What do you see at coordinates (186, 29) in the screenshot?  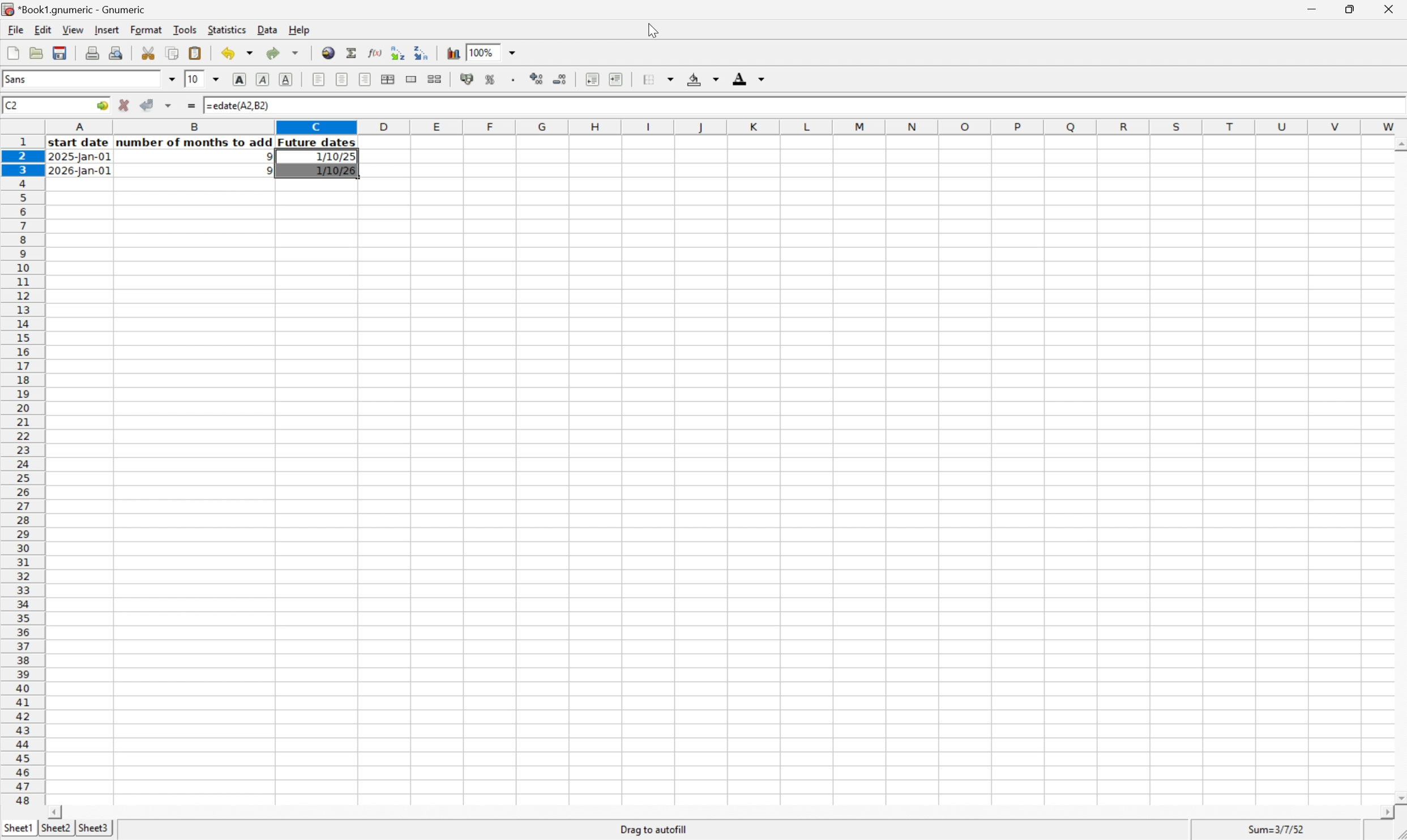 I see `Tools` at bounding box center [186, 29].